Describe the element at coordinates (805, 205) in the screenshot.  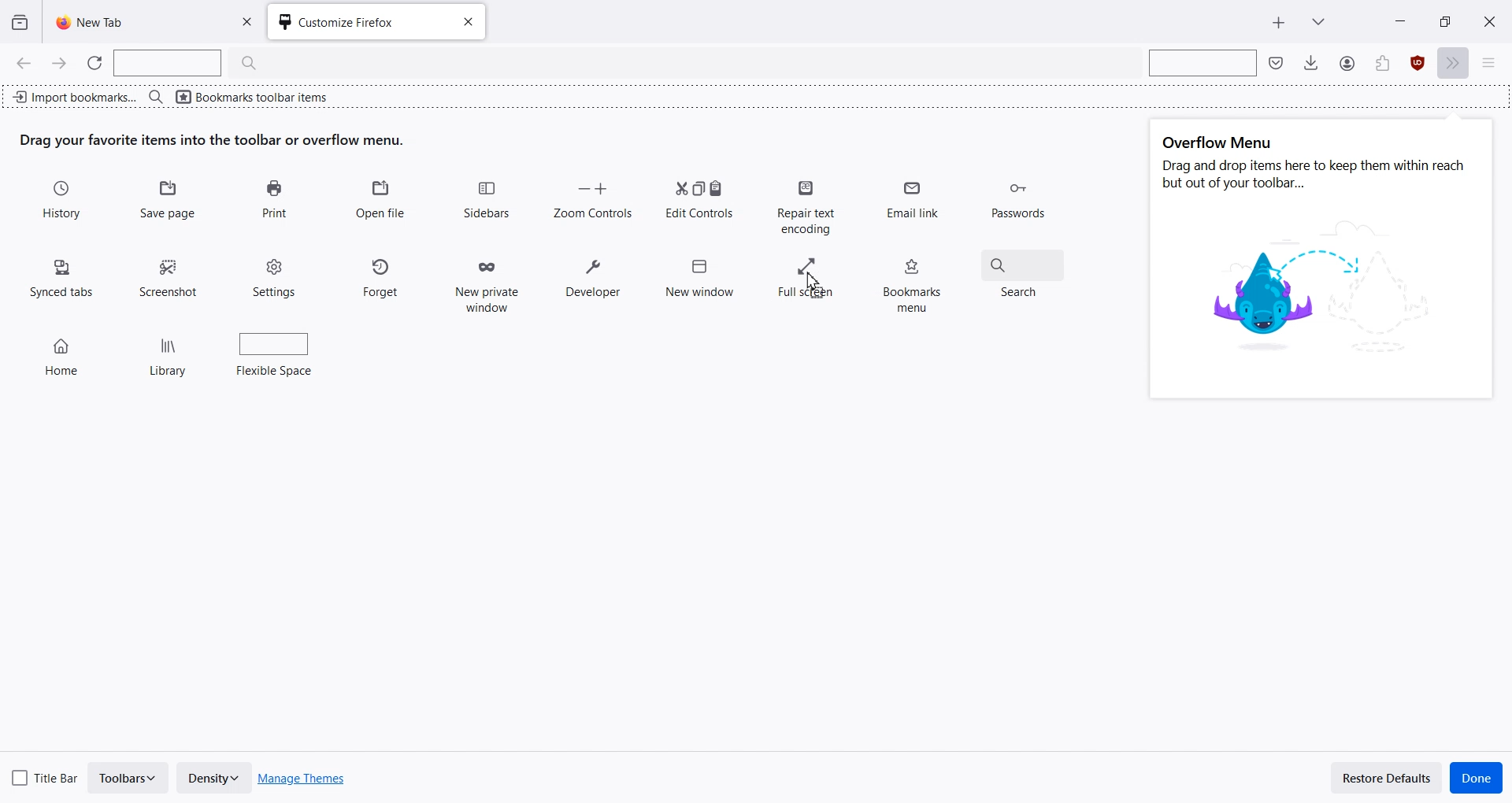
I see `Repair text encoding` at that location.